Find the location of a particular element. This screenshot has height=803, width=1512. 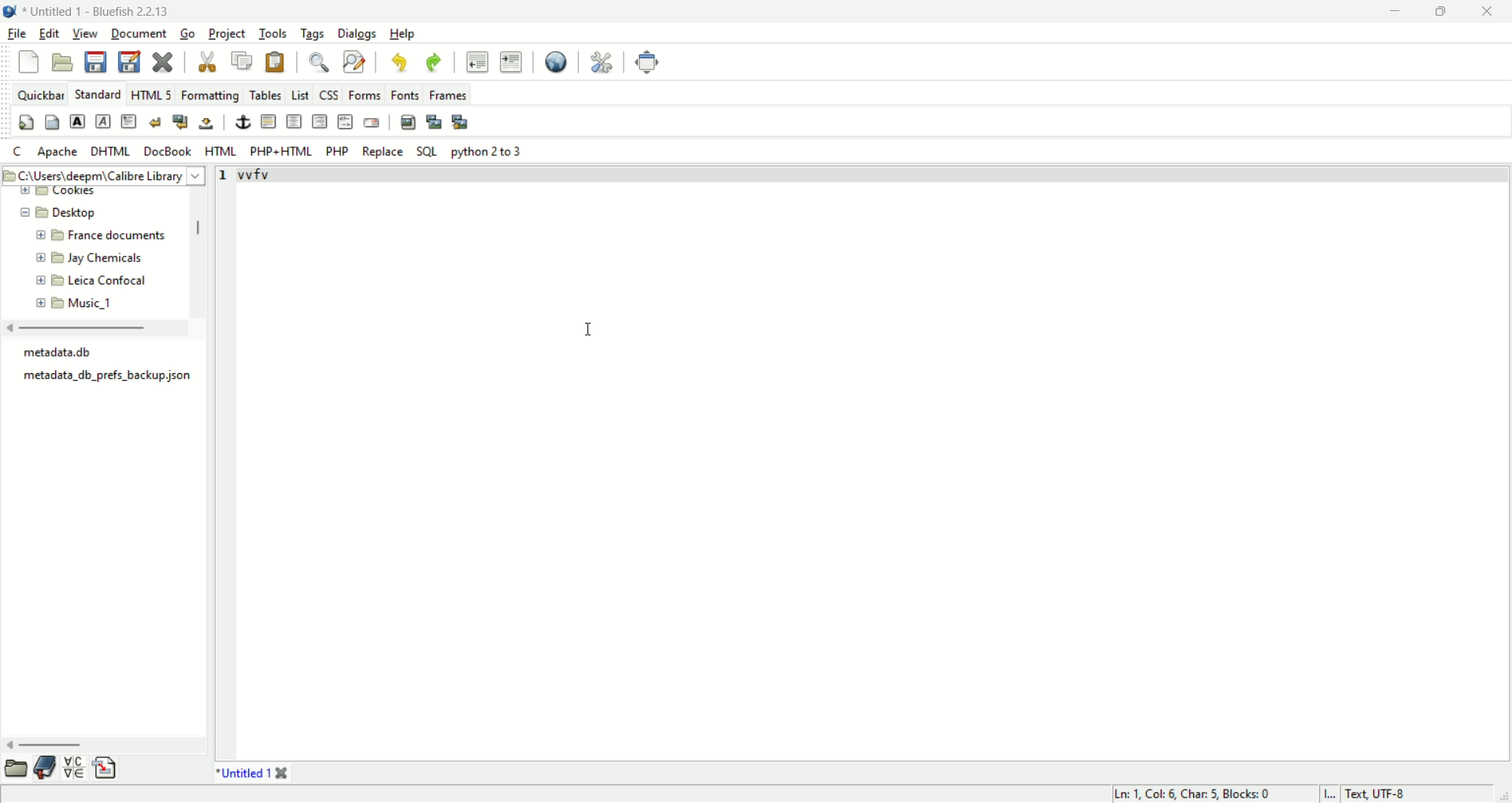

horizontal scroll bar is located at coordinates (49, 746).